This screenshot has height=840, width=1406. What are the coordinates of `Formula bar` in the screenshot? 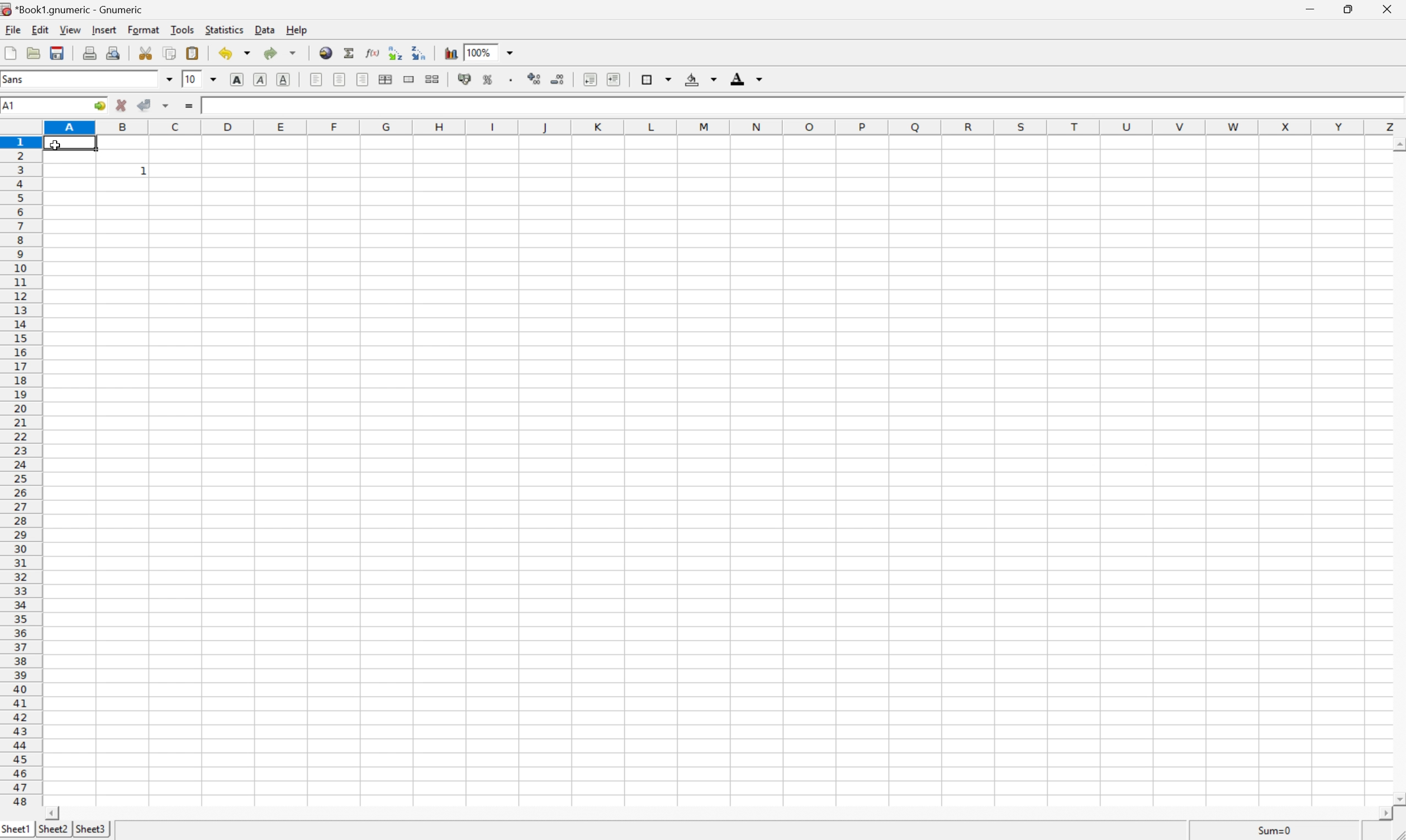 It's located at (804, 109).